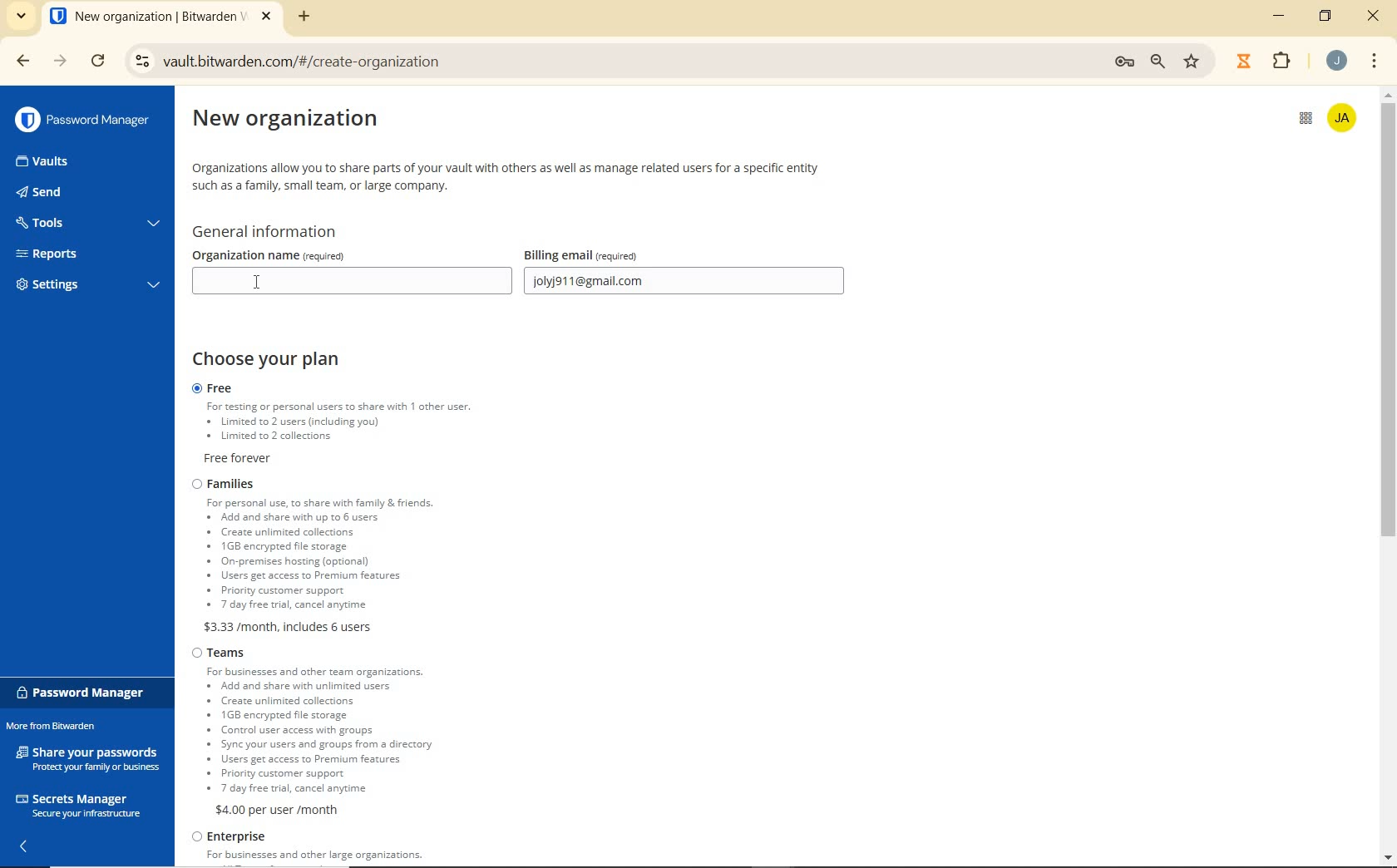 The width and height of the screenshot is (1397, 868). Describe the element at coordinates (1375, 62) in the screenshot. I see `customize ` at that location.